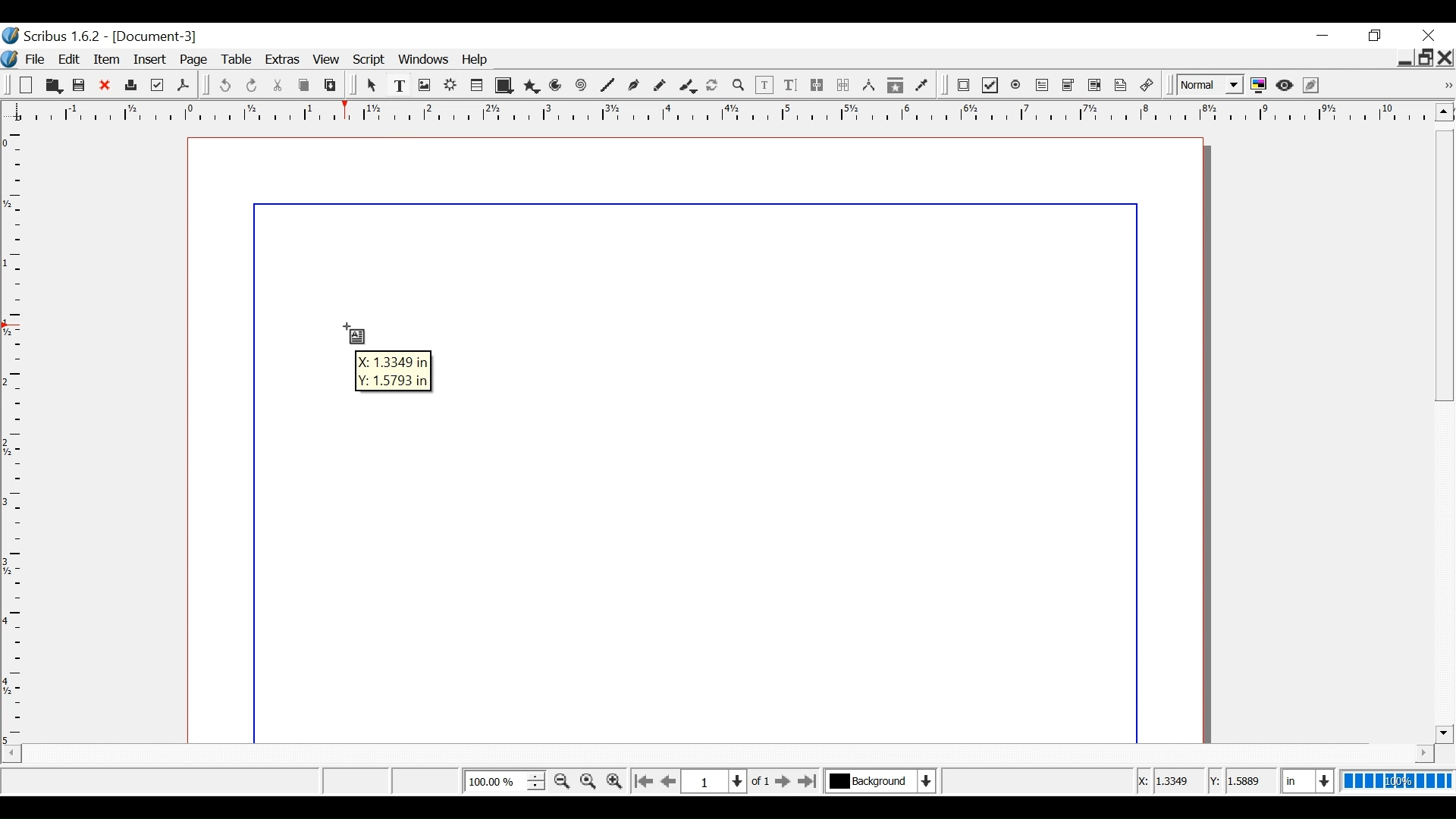 Image resolution: width=1456 pixels, height=819 pixels. What do you see at coordinates (713, 86) in the screenshot?
I see `Rotate` at bounding box center [713, 86].